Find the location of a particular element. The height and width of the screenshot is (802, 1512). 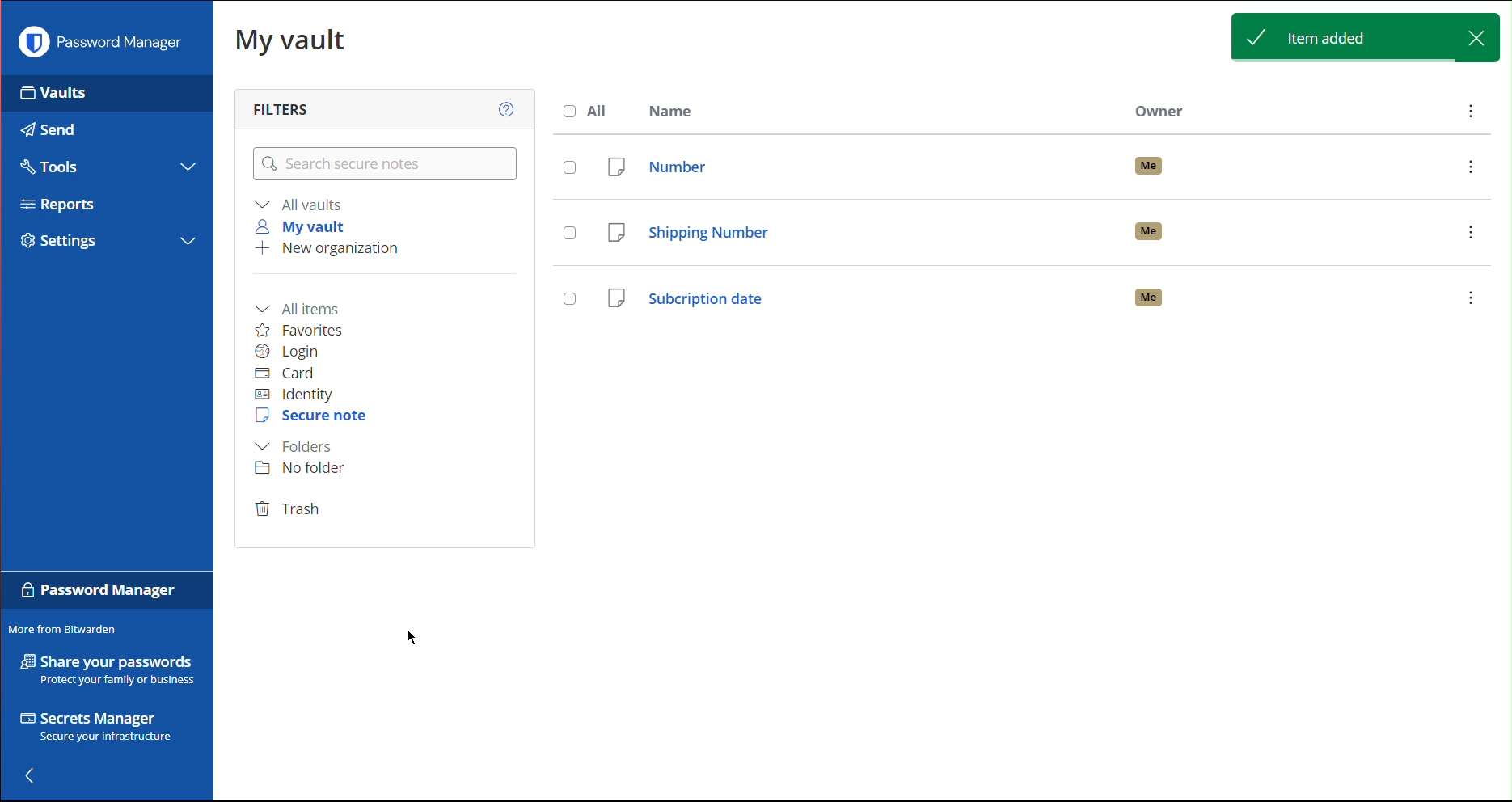

Send is located at coordinates (48, 129).